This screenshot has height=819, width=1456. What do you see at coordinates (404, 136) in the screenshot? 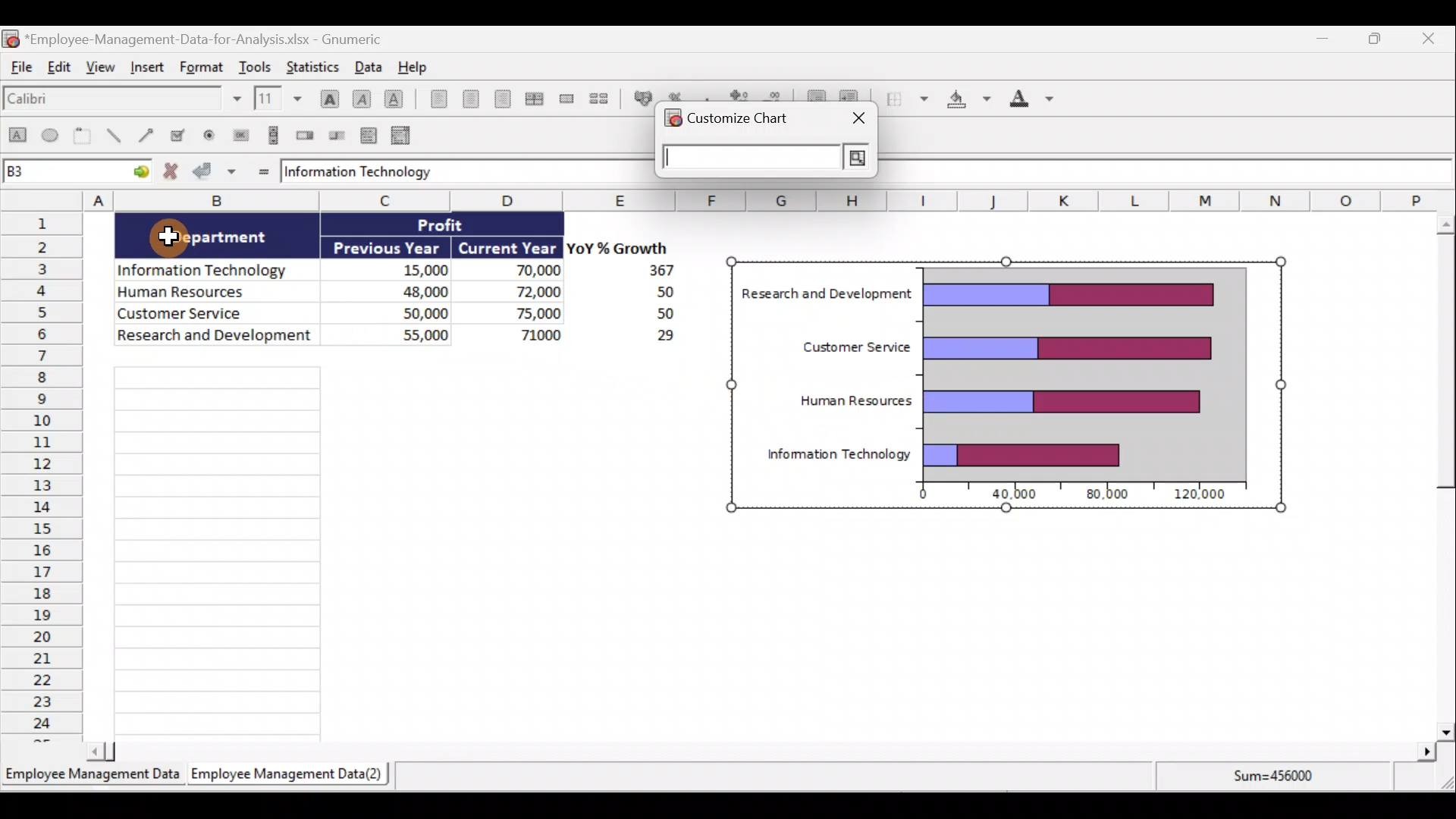
I see `Create a combo box` at bounding box center [404, 136].